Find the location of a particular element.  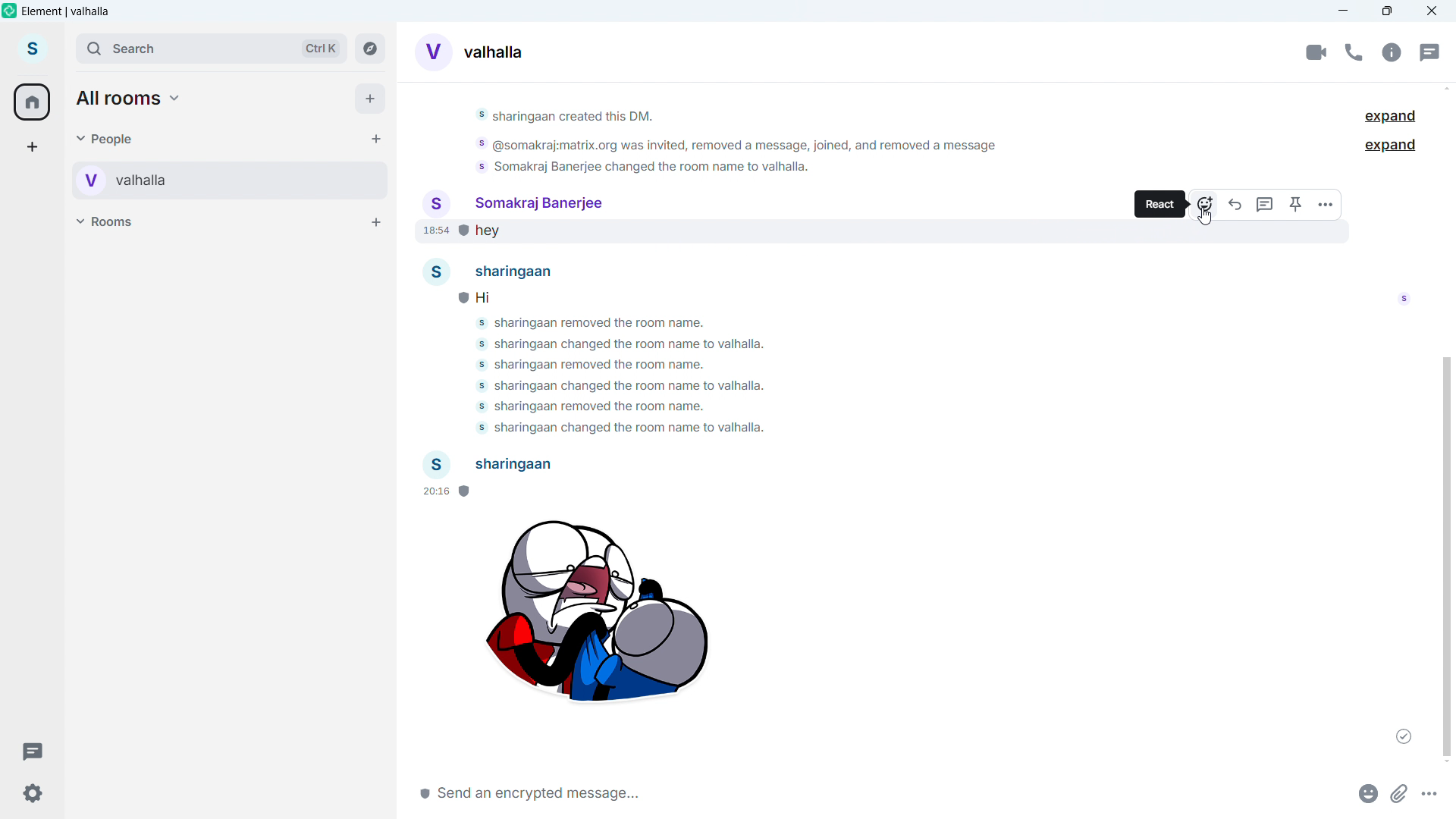

Time of sending is located at coordinates (444, 492).